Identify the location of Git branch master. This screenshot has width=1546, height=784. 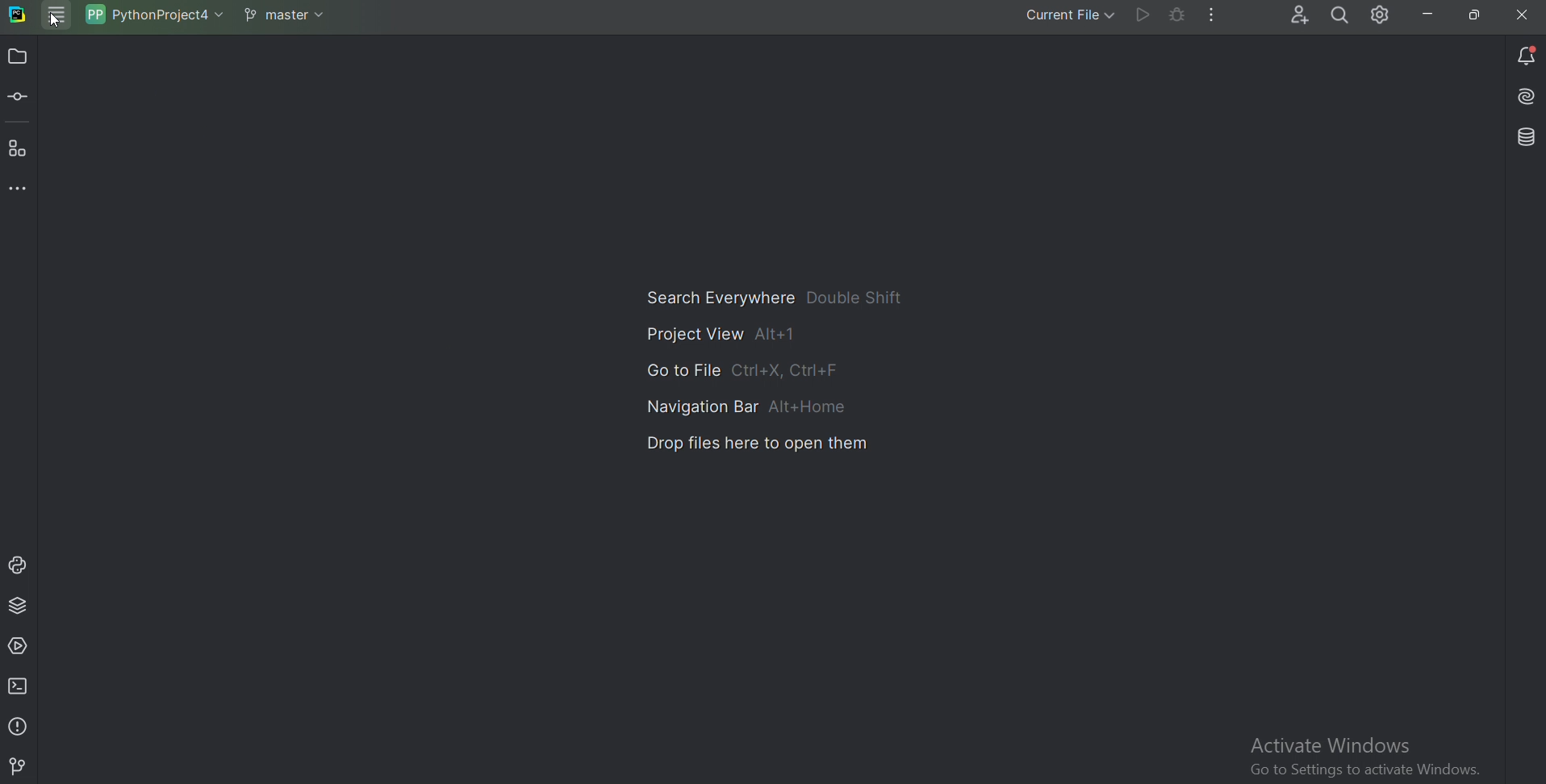
(284, 17).